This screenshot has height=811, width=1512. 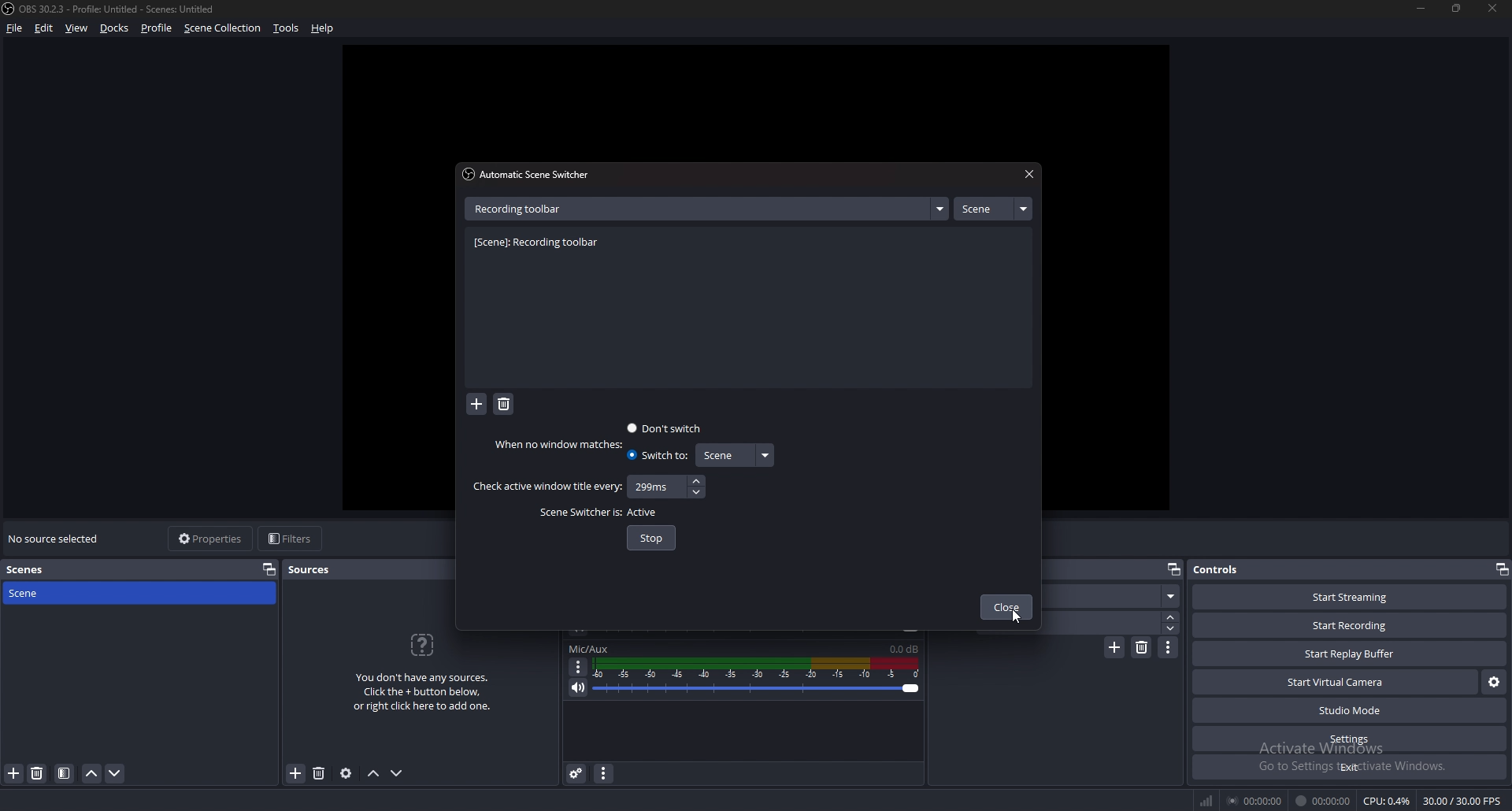 What do you see at coordinates (756, 678) in the screenshot?
I see `volume adjust` at bounding box center [756, 678].